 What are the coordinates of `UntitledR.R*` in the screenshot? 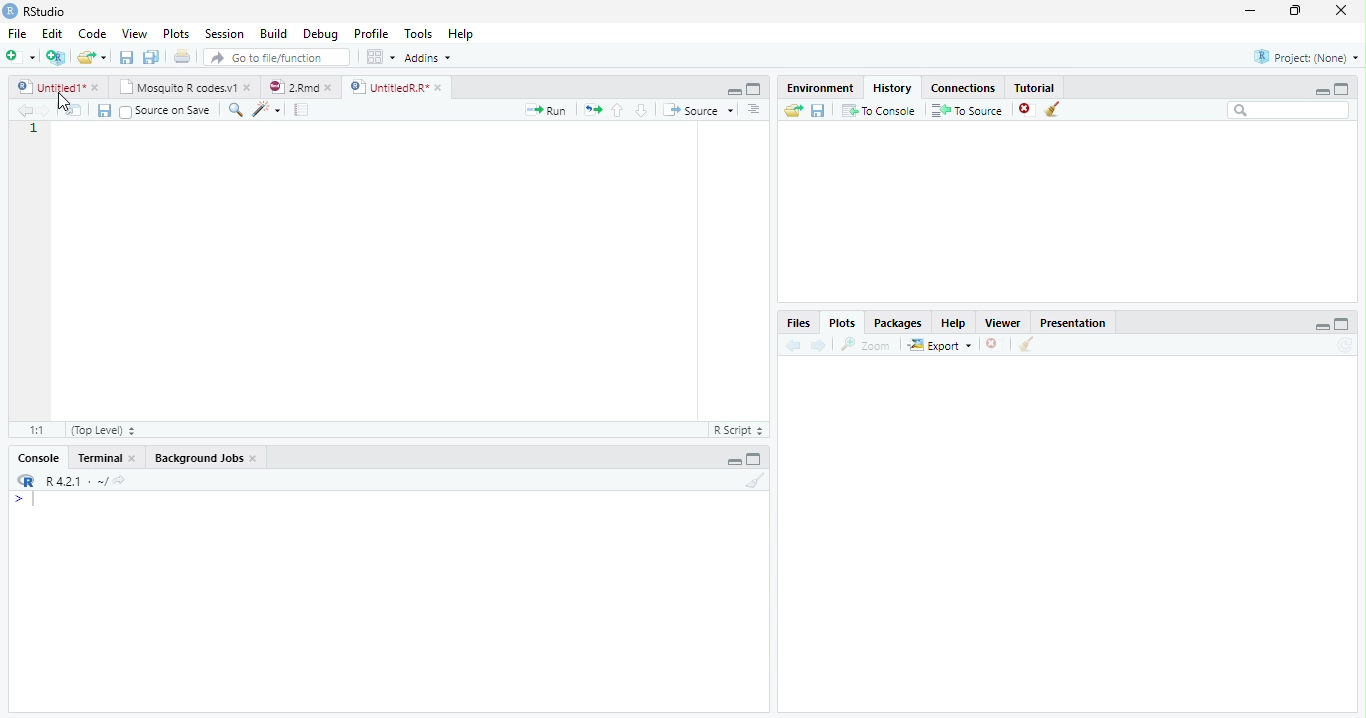 It's located at (388, 88).